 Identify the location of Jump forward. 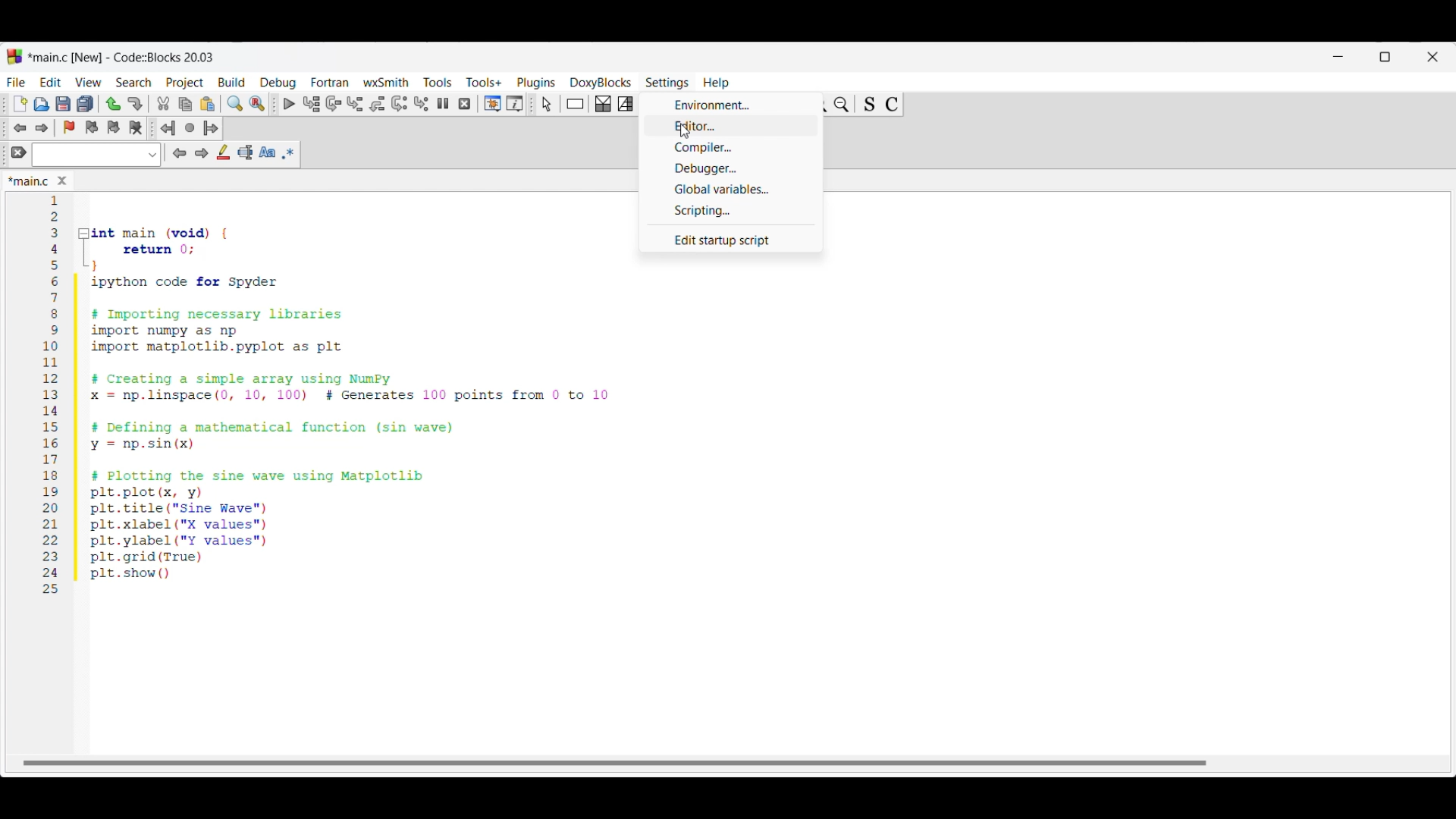
(211, 128).